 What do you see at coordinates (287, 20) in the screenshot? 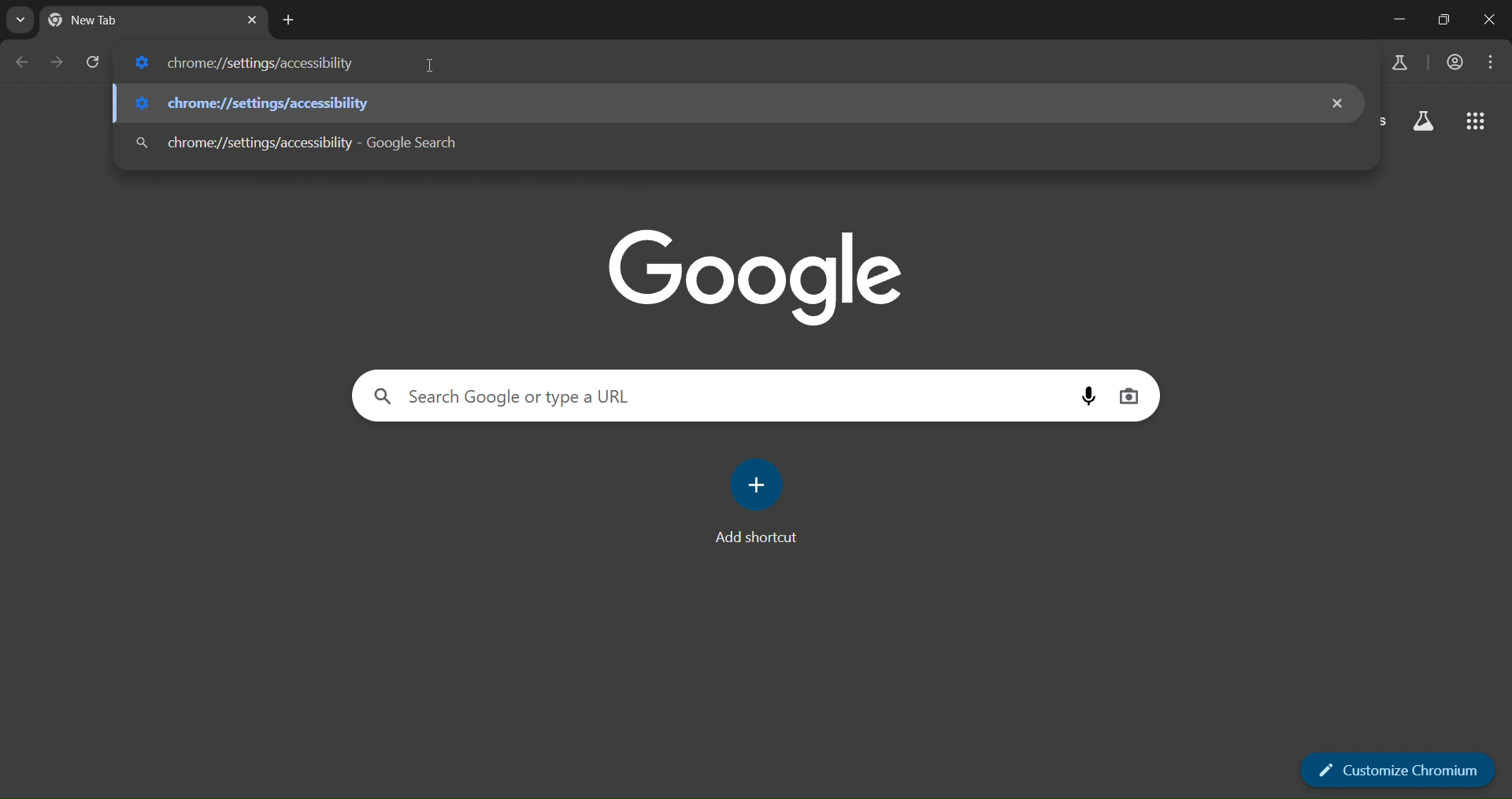
I see `new tab` at bounding box center [287, 20].